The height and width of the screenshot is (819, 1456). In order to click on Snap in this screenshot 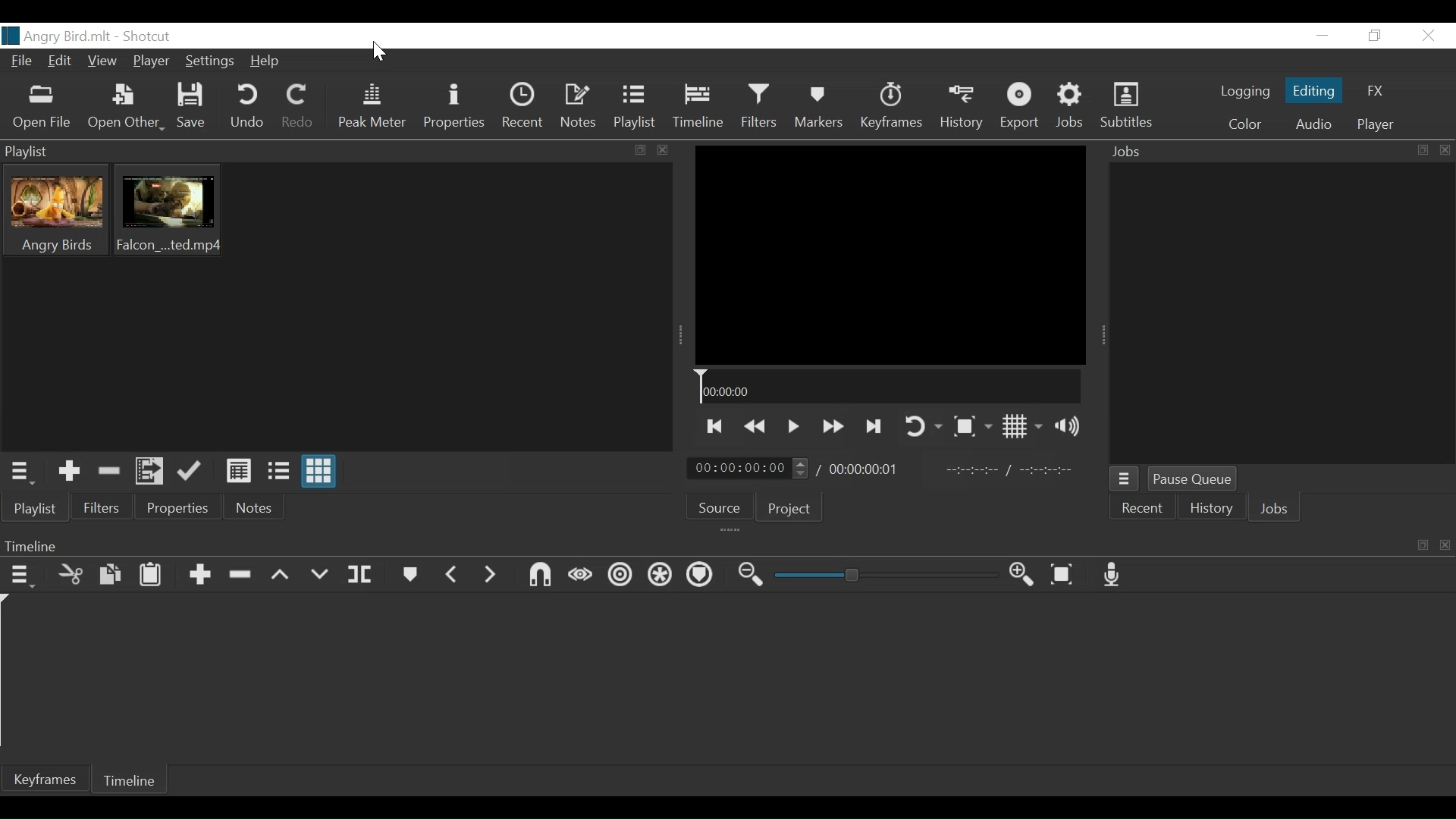, I will do `click(540, 577)`.